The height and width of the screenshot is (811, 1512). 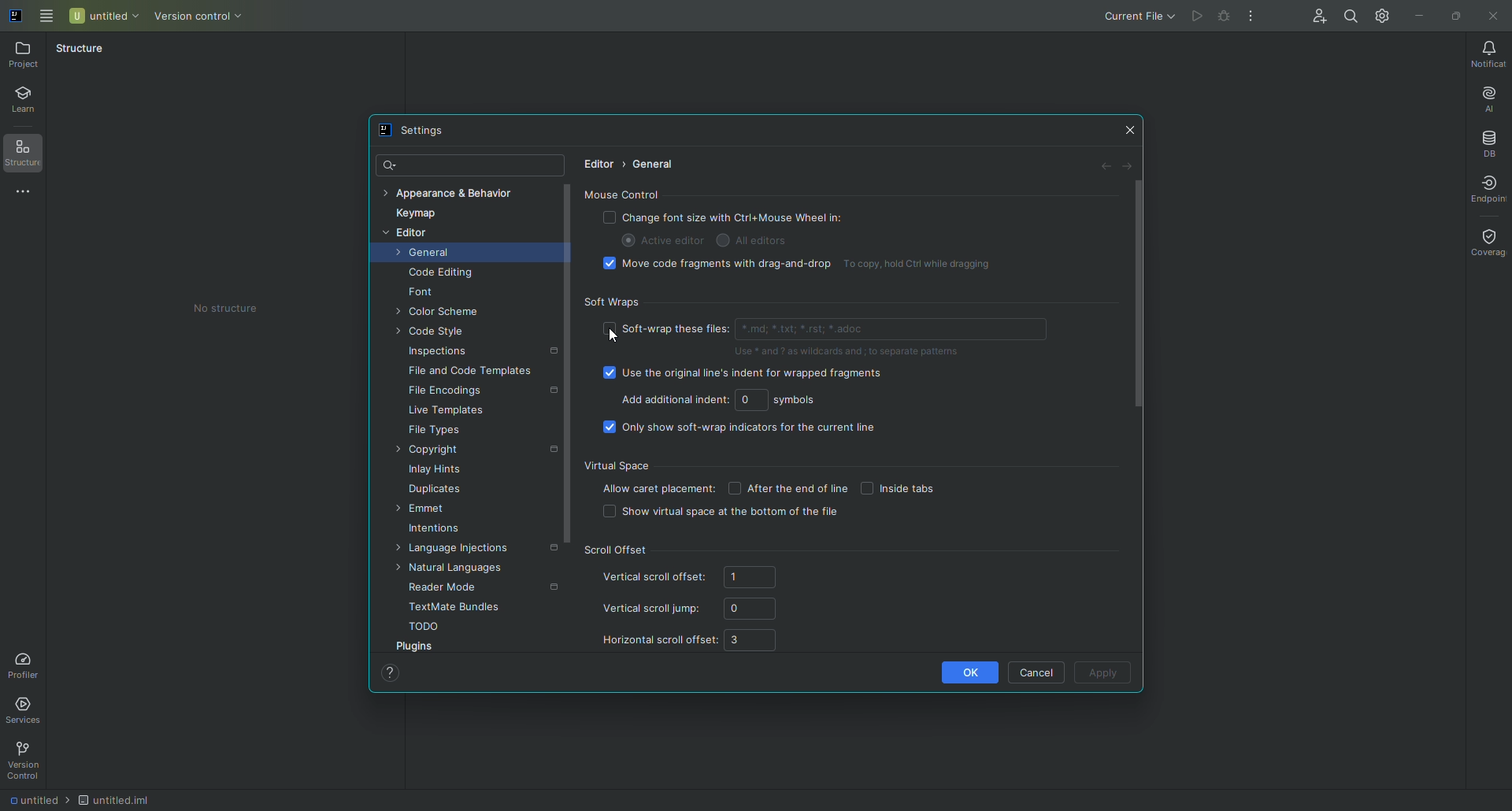 I want to click on Learn, so click(x=29, y=102).